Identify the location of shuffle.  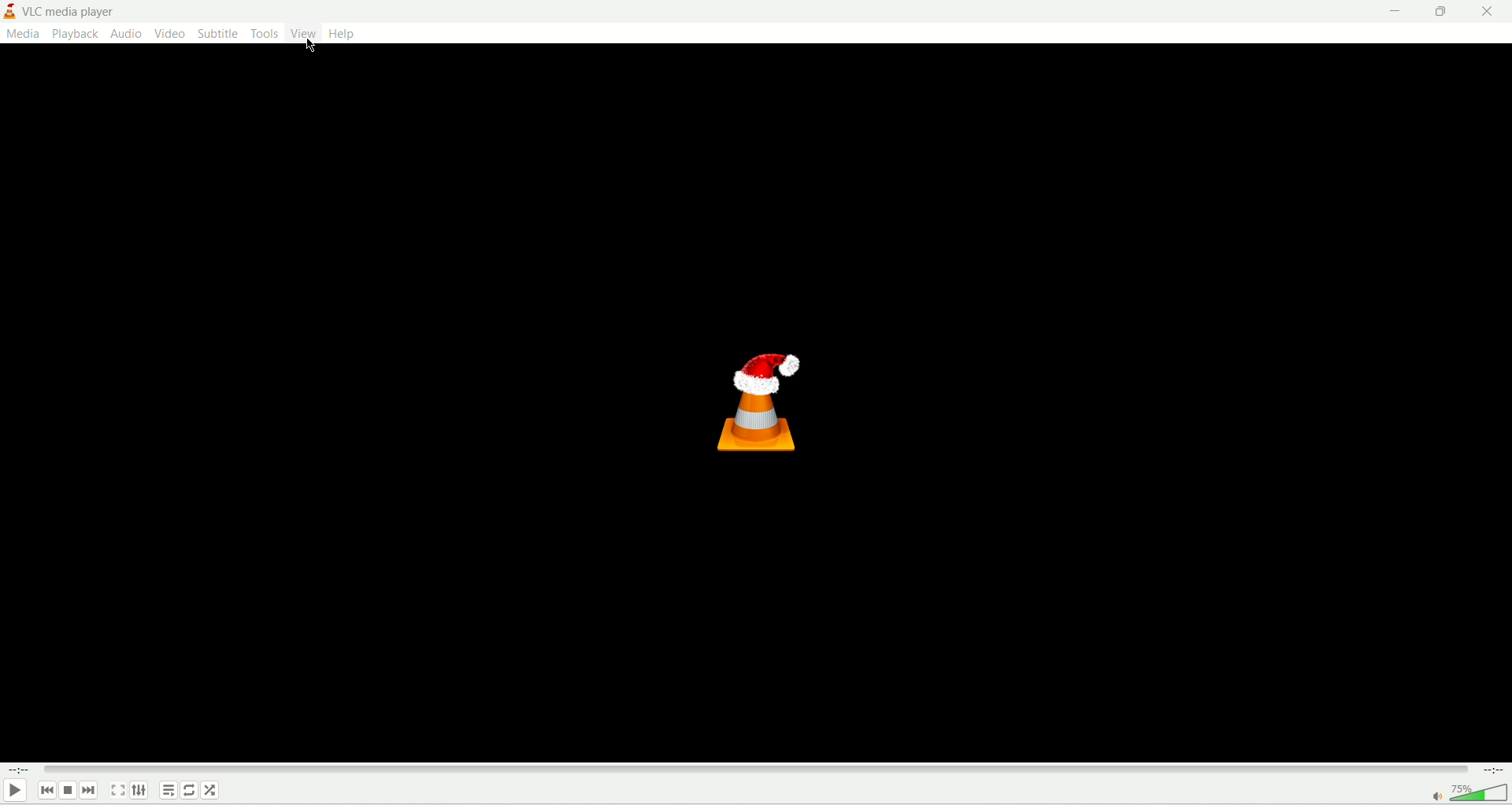
(213, 791).